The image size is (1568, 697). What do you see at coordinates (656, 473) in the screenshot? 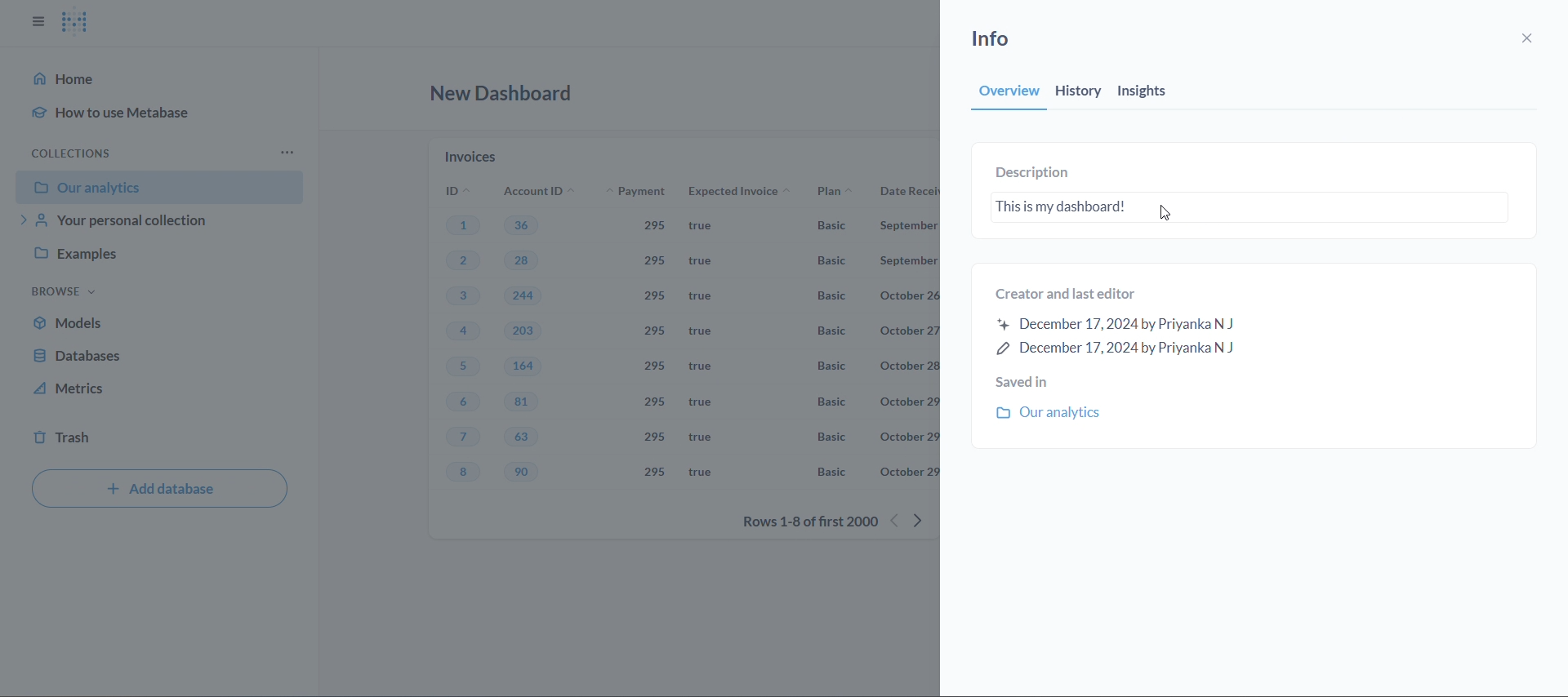
I see `295` at bounding box center [656, 473].